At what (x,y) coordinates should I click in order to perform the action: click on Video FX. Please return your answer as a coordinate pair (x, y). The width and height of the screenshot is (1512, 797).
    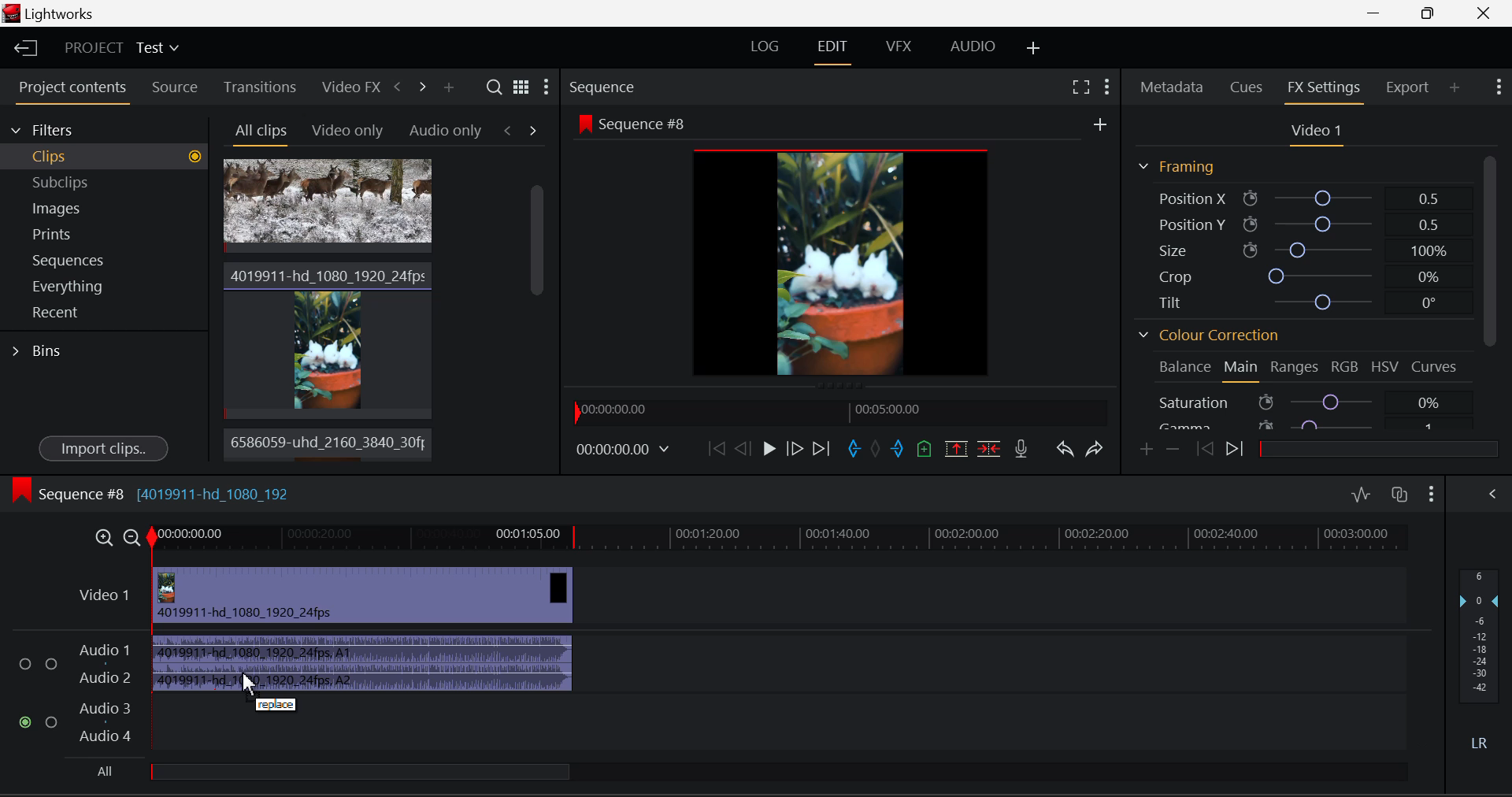
    Looking at the image, I should click on (348, 85).